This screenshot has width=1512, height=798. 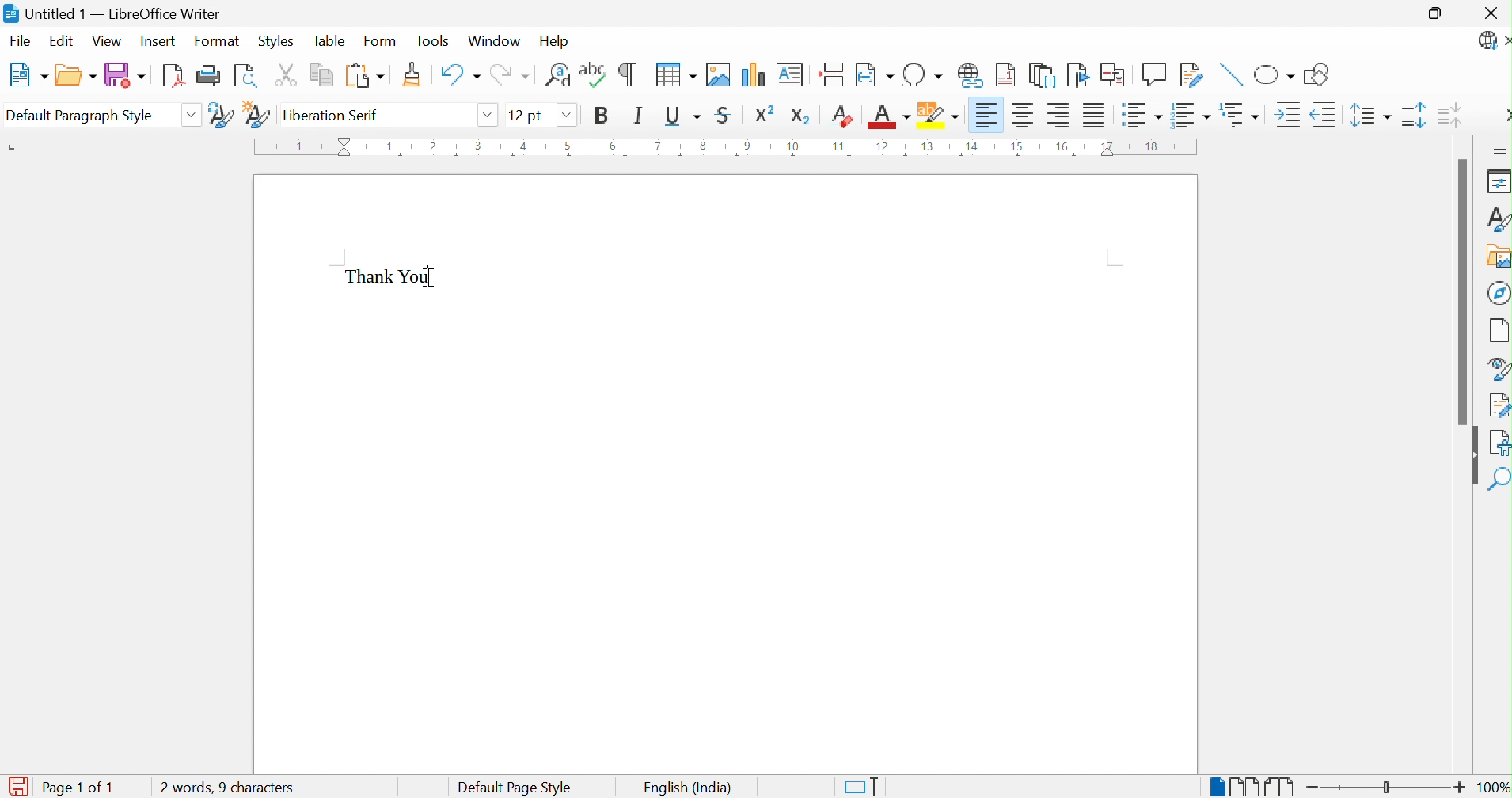 What do you see at coordinates (1493, 787) in the screenshot?
I see `100%` at bounding box center [1493, 787].